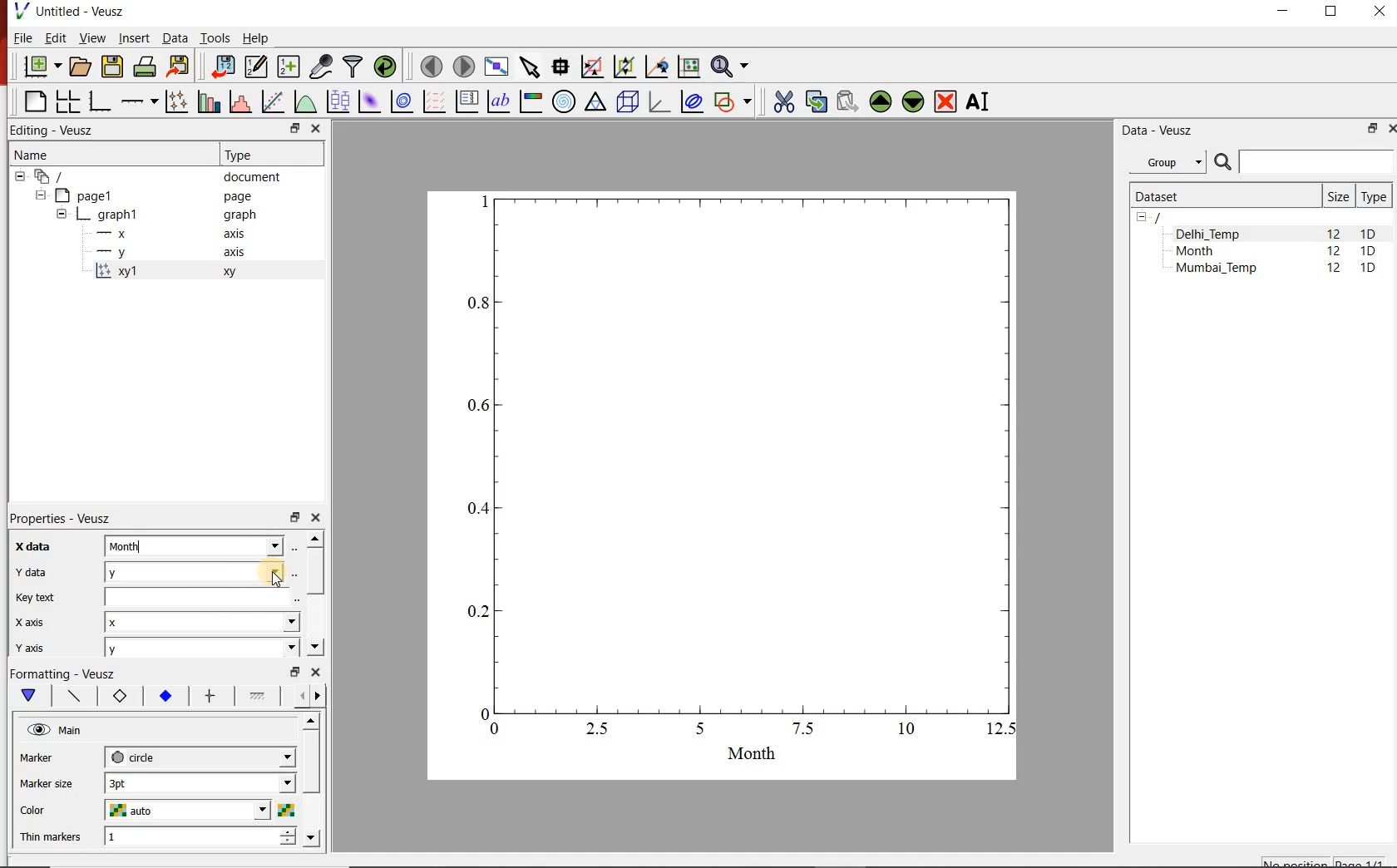 Image resolution: width=1397 pixels, height=868 pixels. I want to click on RESTORE, so click(1331, 12).